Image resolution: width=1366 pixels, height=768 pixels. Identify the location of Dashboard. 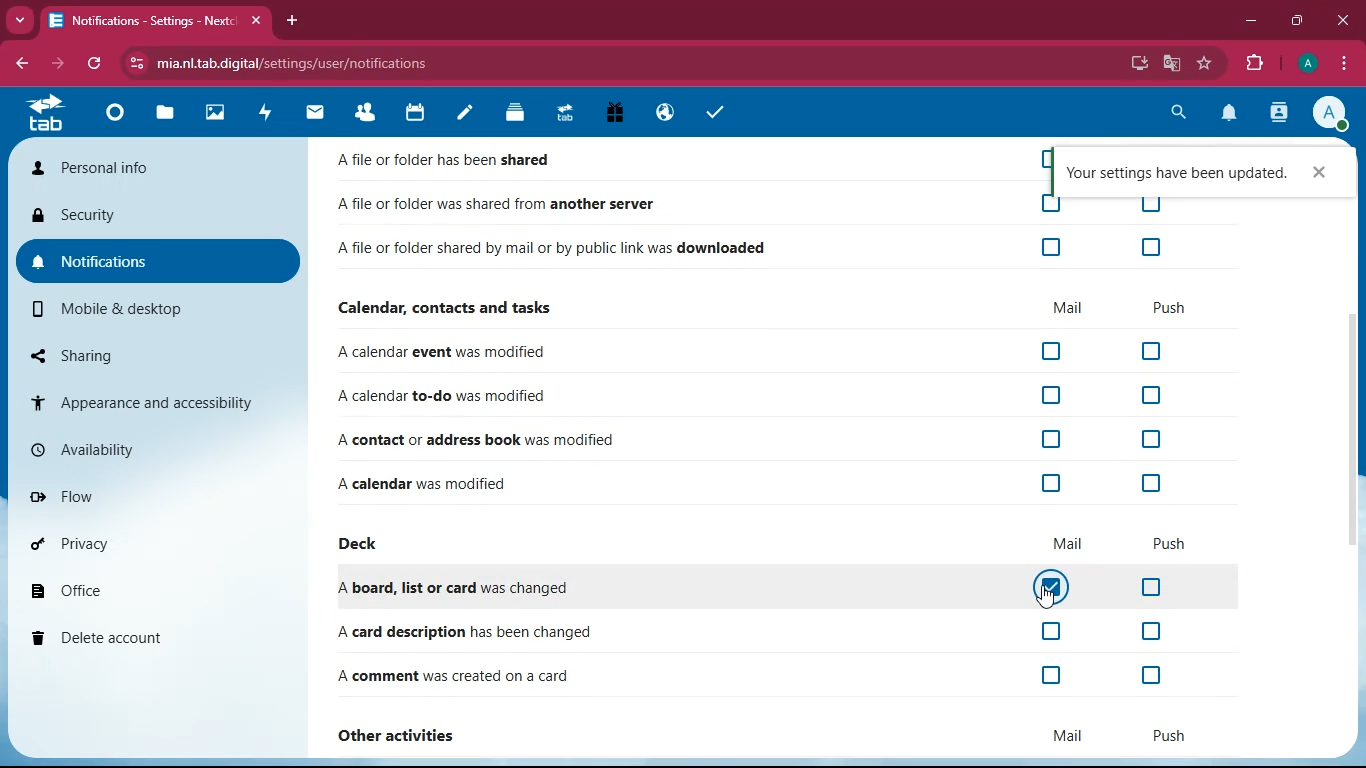
(115, 116).